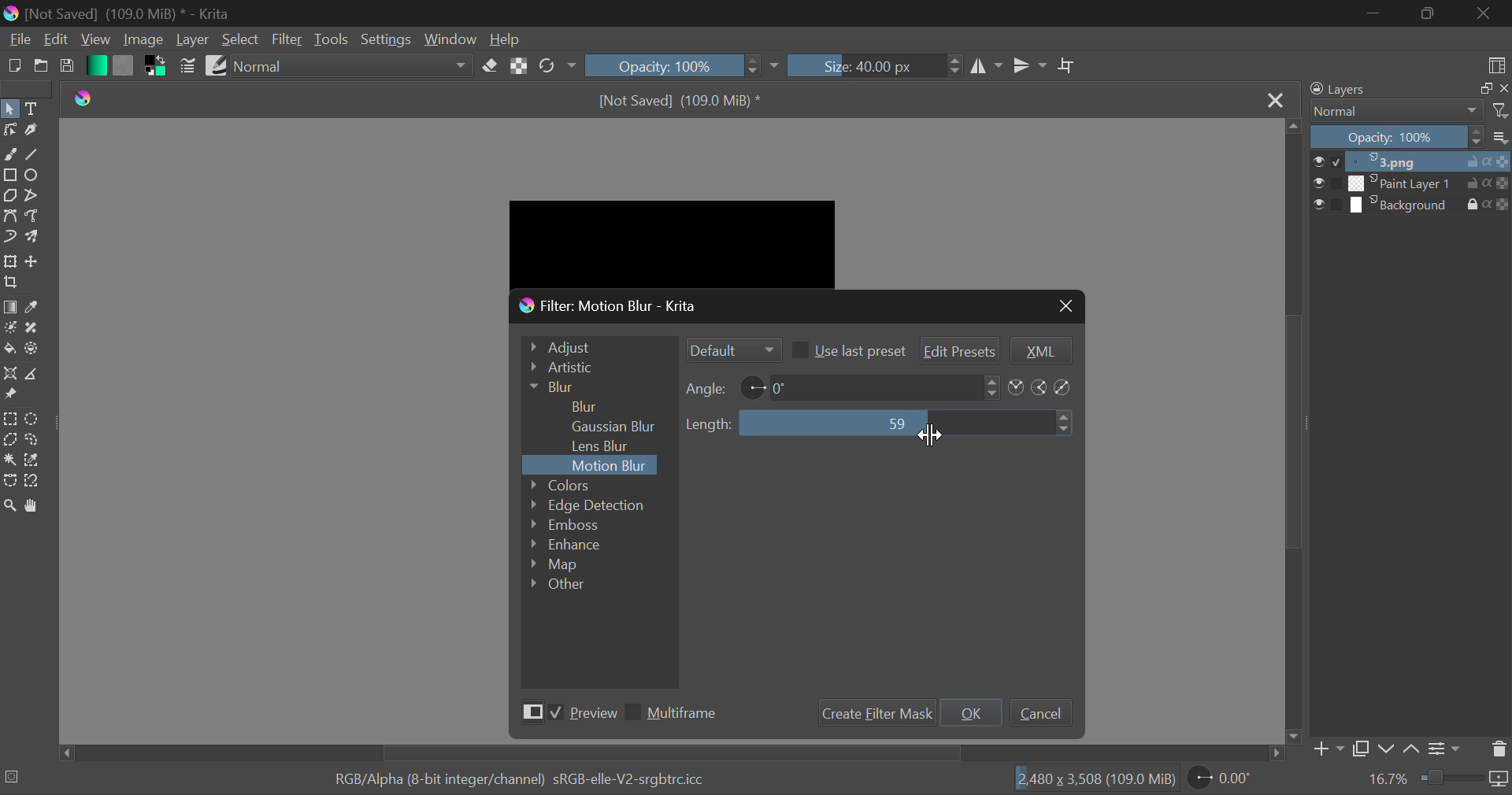 The height and width of the screenshot is (795, 1512). What do you see at coordinates (33, 215) in the screenshot?
I see `Freehand Path Tool` at bounding box center [33, 215].